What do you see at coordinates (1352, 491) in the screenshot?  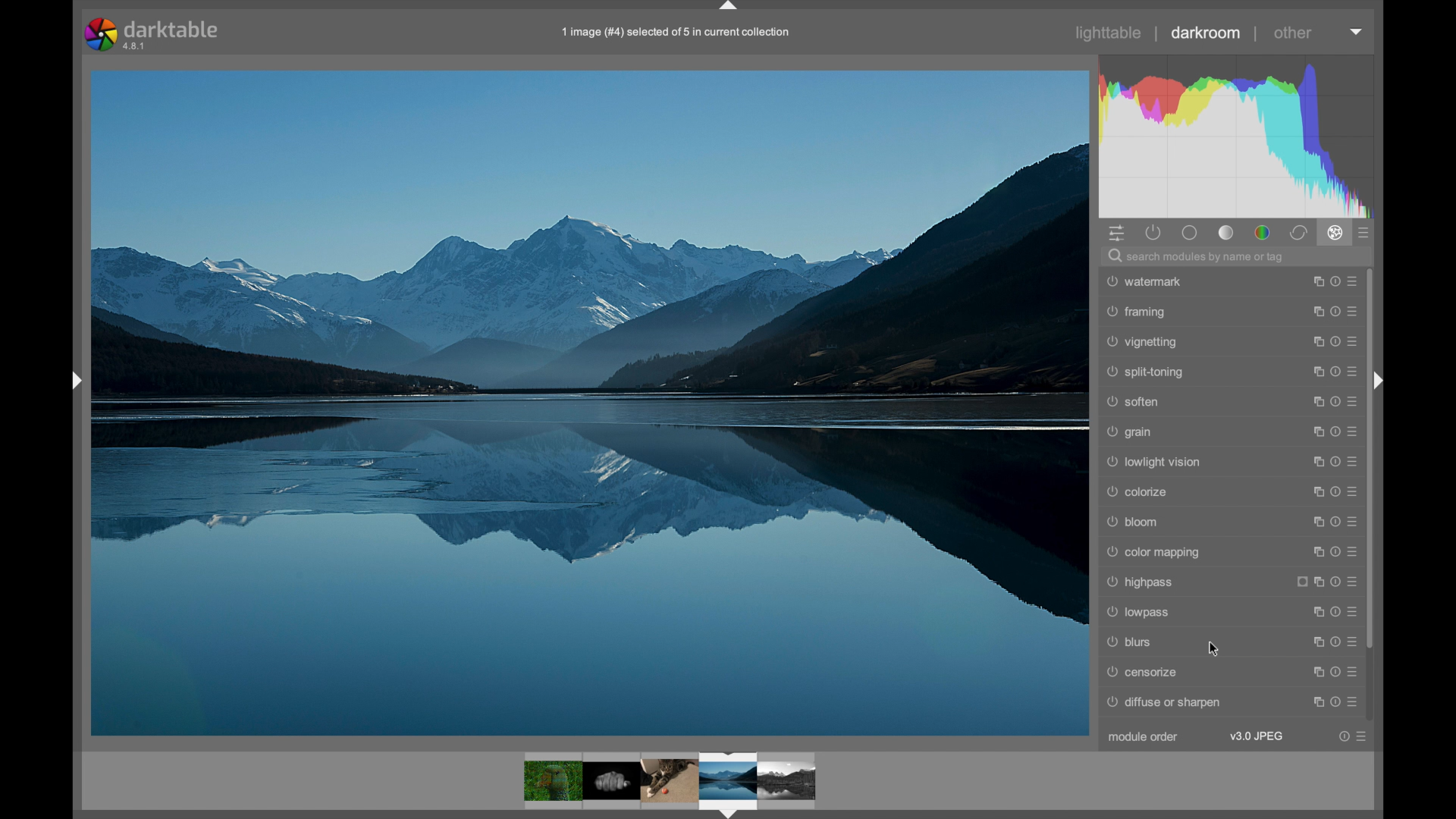 I see `more options` at bounding box center [1352, 491].